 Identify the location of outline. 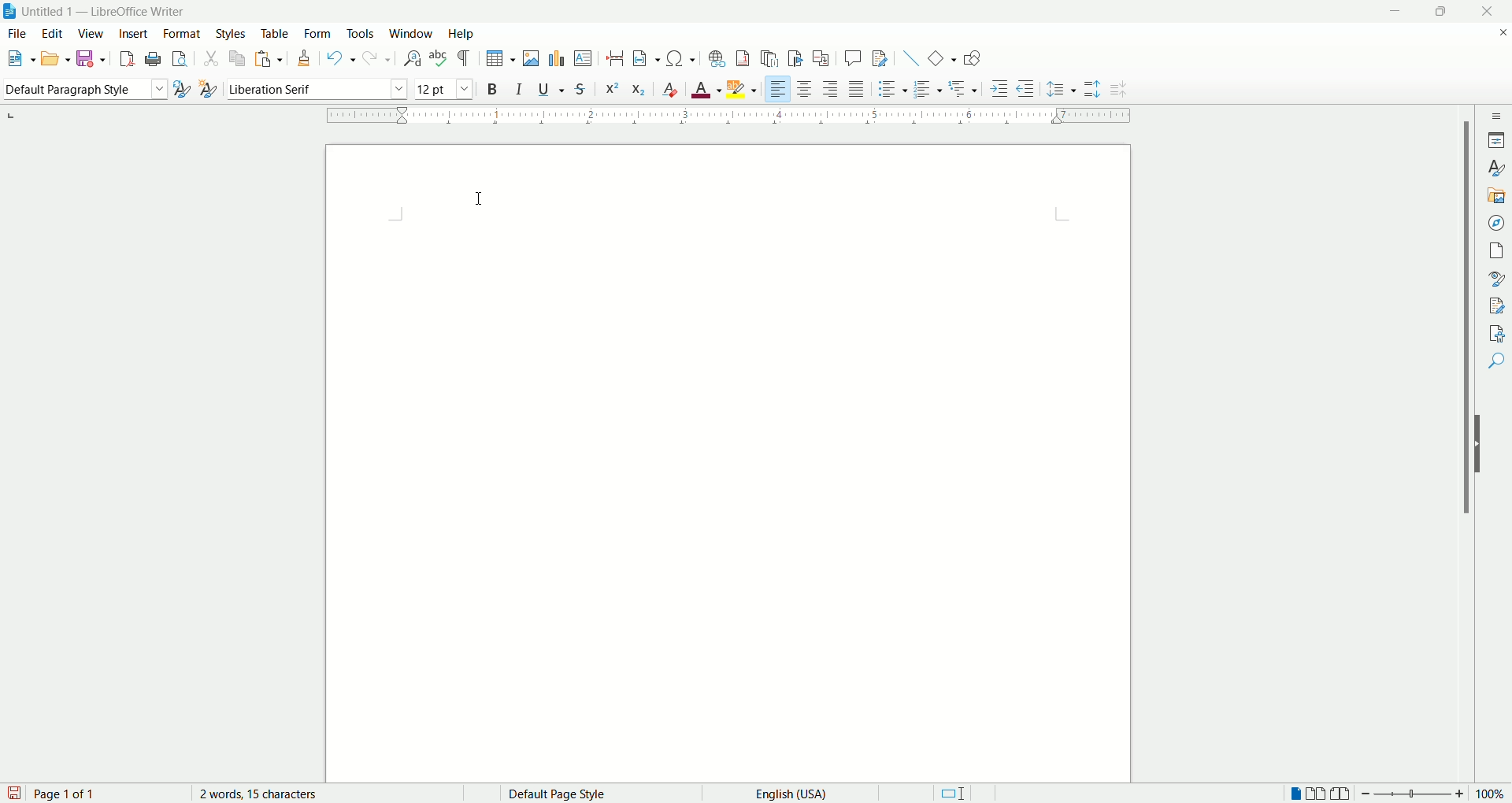
(962, 89).